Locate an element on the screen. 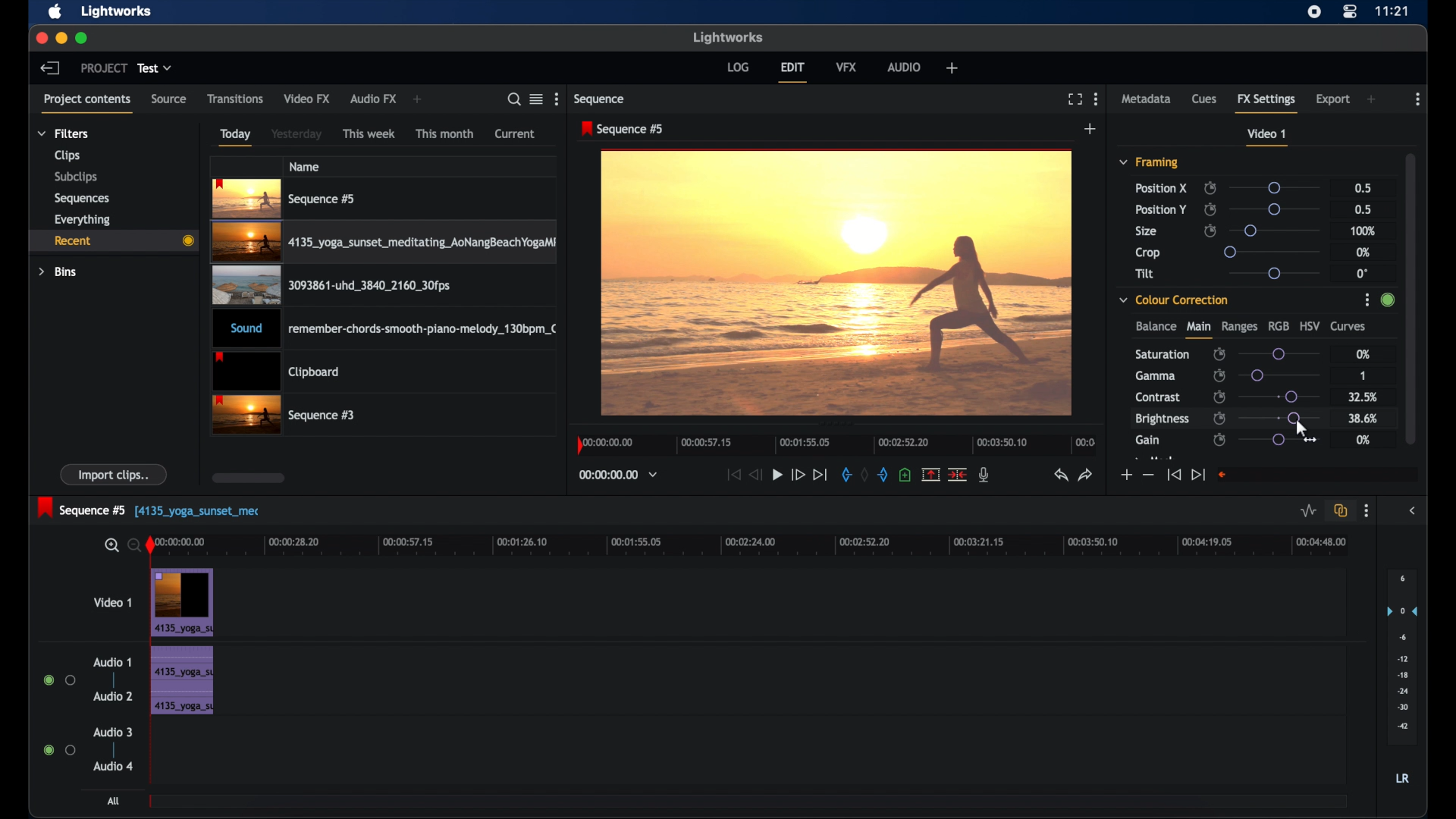 This screenshot has height=819, width=1456. add is located at coordinates (1373, 99).